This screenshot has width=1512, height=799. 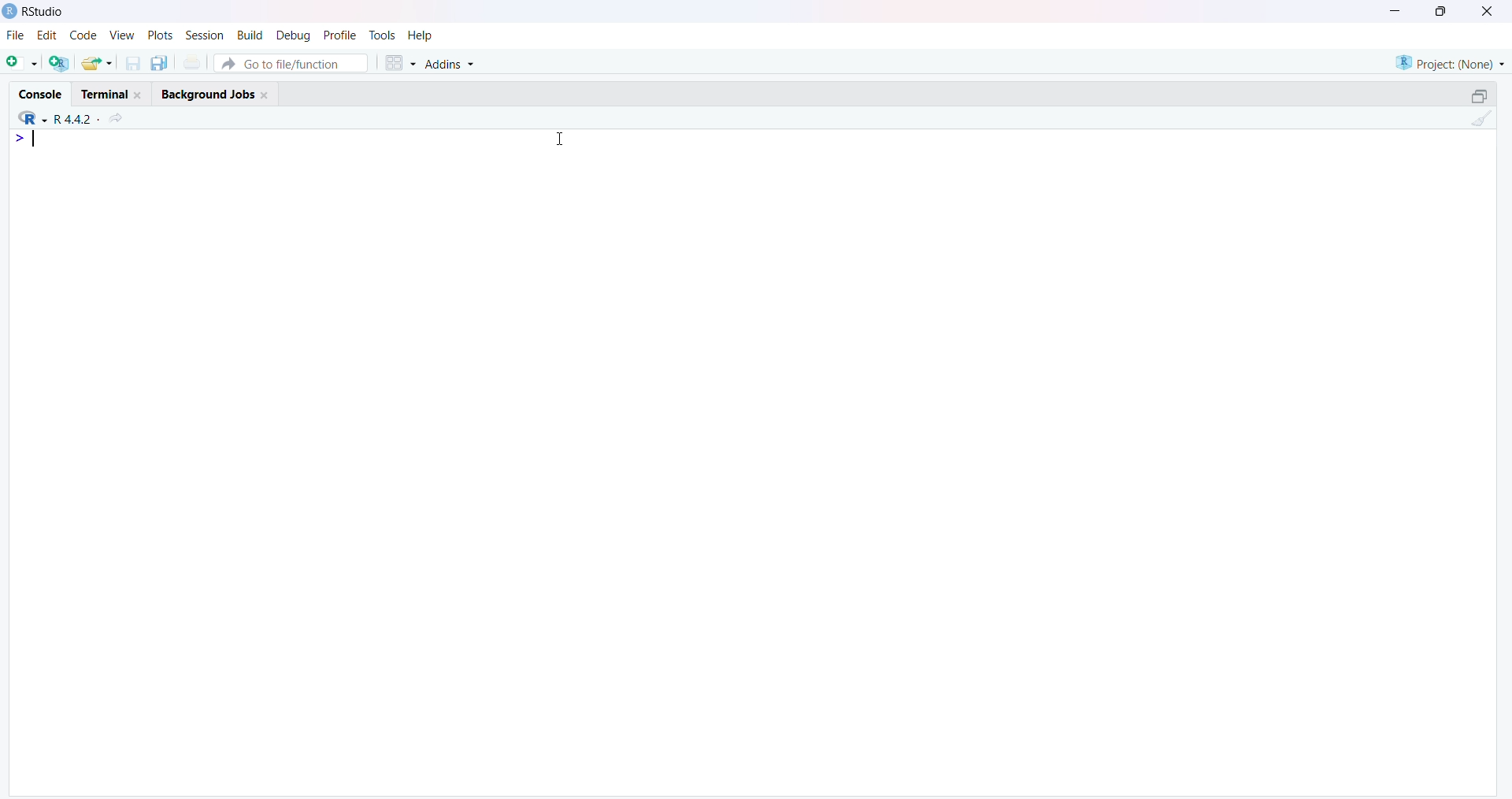 I want to click on View, so click(x=121, y=37).